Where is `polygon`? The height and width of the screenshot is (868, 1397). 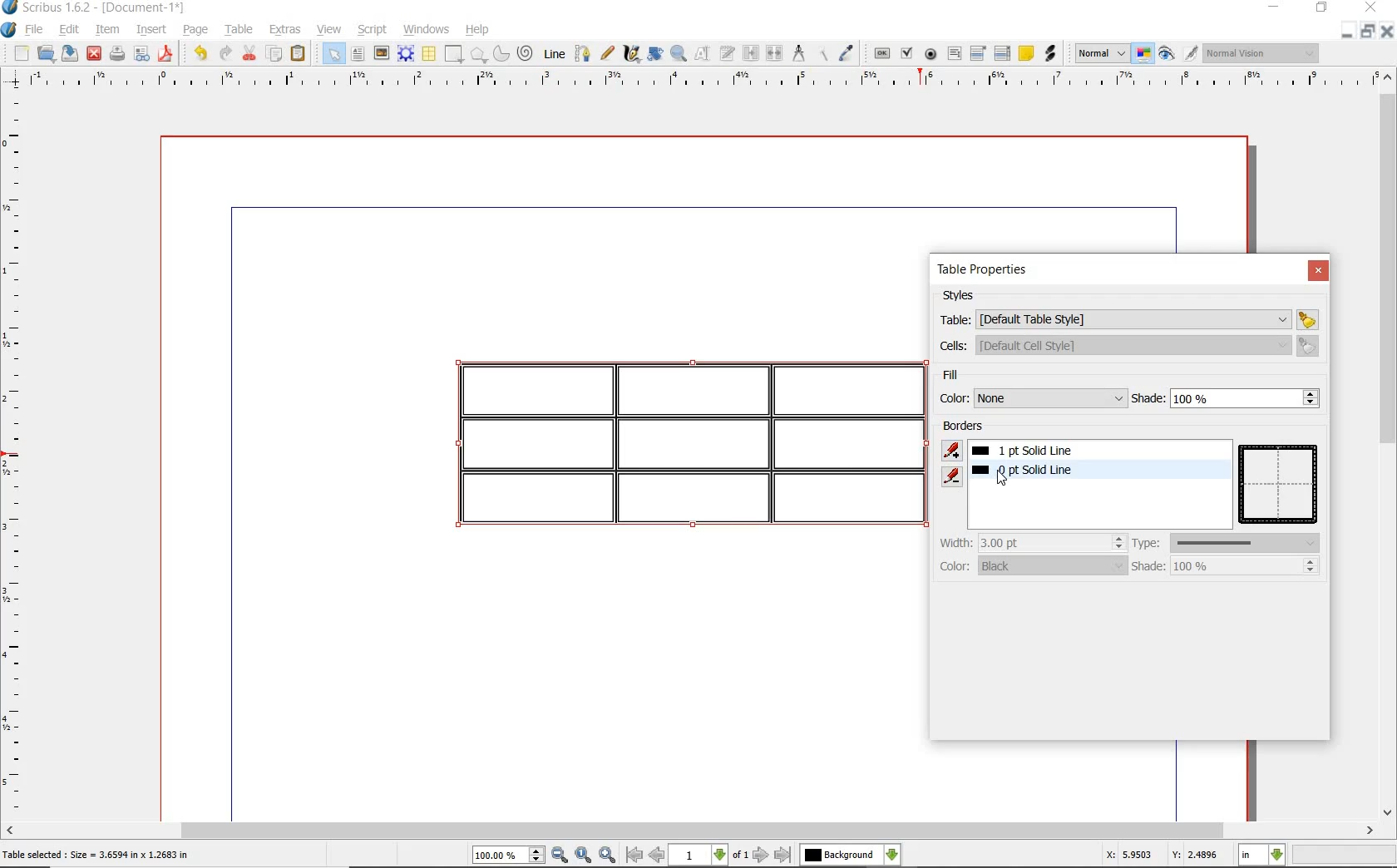
polygon is located at coordinates (479, 55).